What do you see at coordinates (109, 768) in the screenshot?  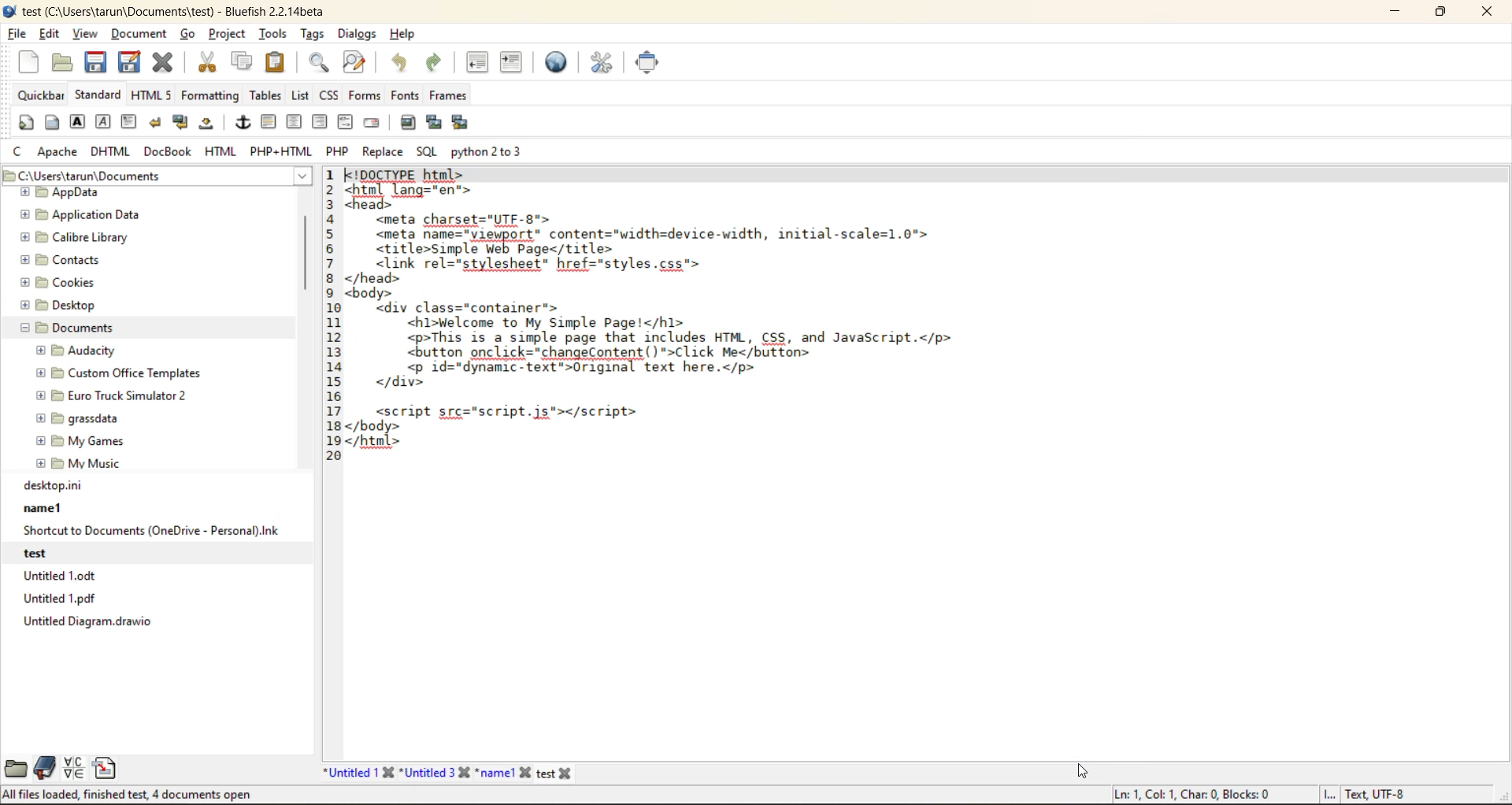 I see `snippets` at bounding box center [109, 768].